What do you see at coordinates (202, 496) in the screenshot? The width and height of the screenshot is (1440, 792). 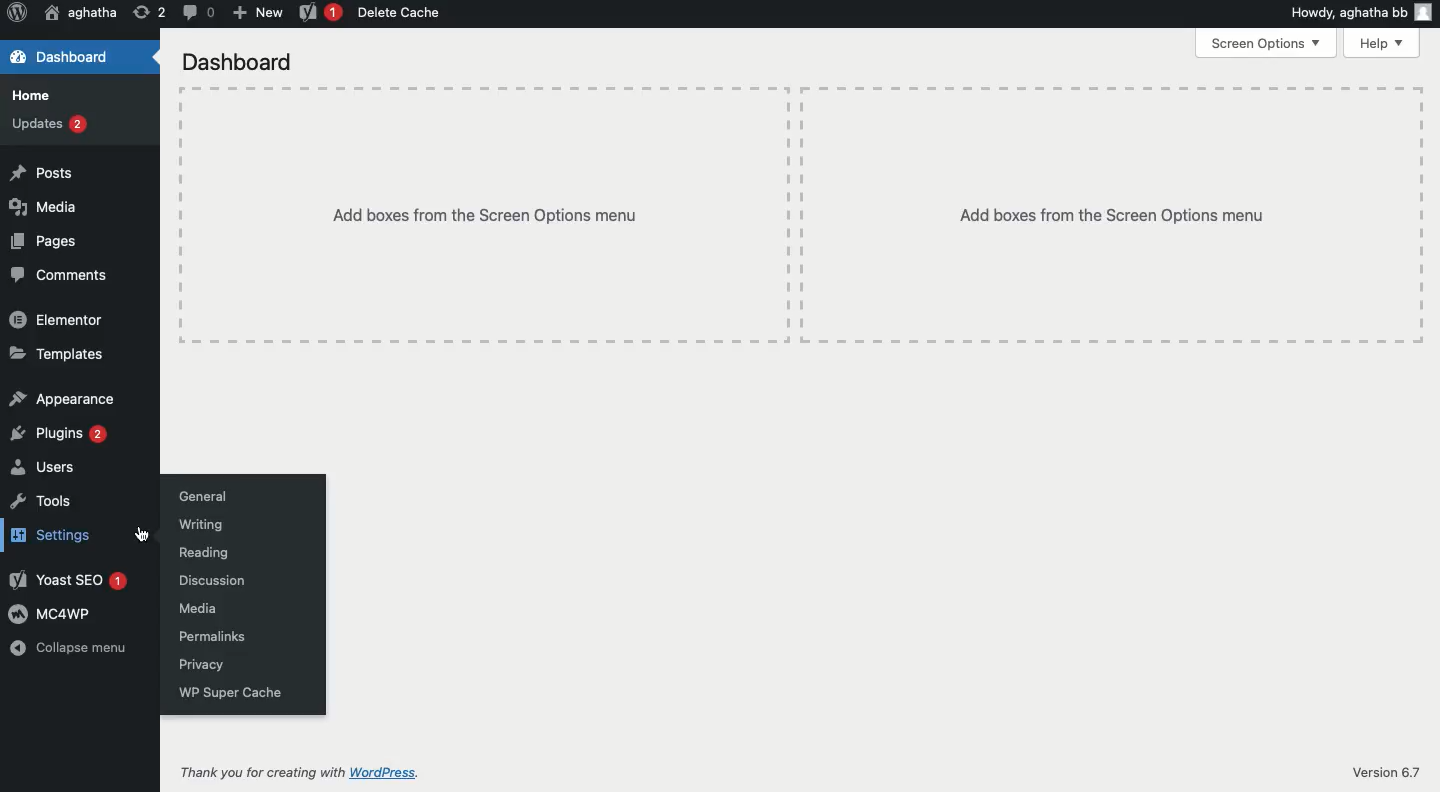 I see `General` at bounding box center [202, 496].